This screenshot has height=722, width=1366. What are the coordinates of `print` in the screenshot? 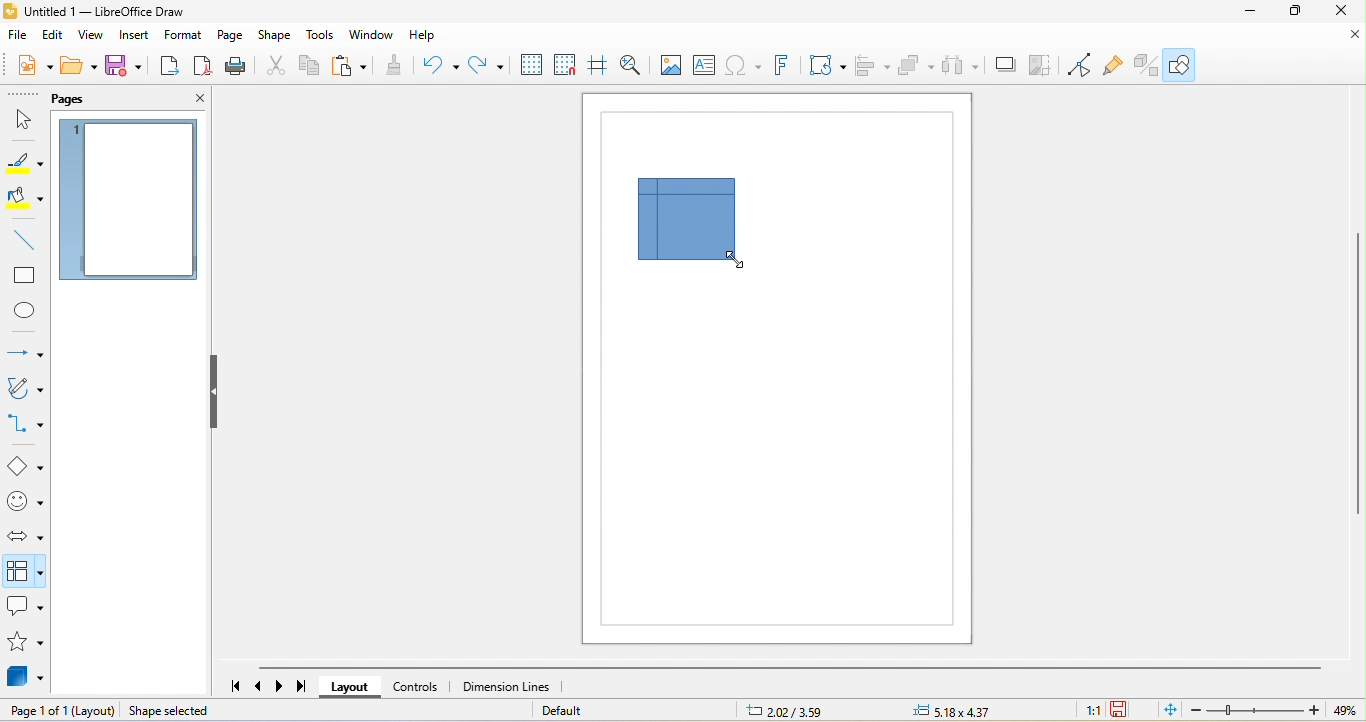 It's located at (240, 68).